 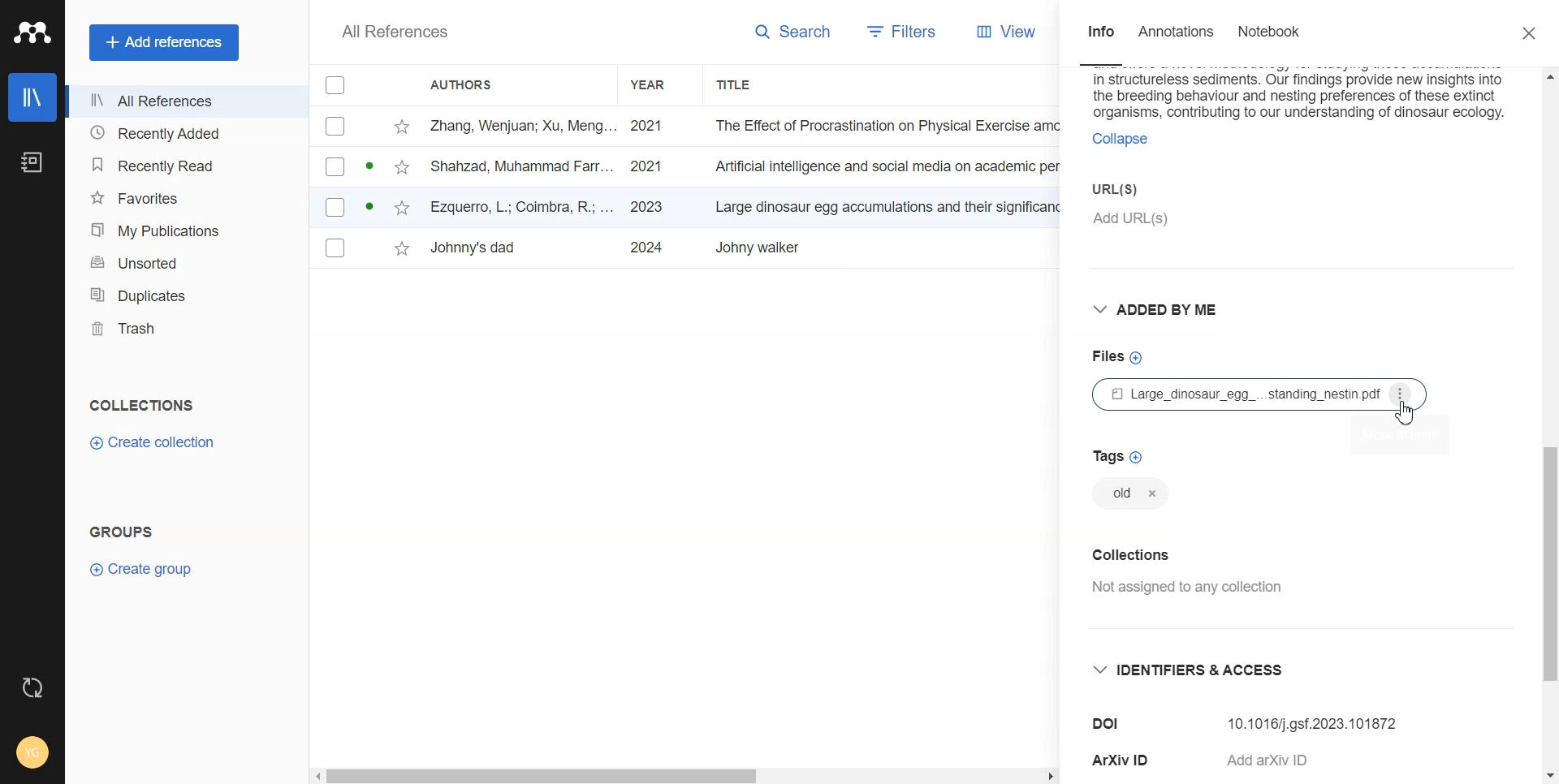 What do you see at coordinates (403, 166) in the screenshot?
I see `Toggle favorites` at bounding box center [403, 166].